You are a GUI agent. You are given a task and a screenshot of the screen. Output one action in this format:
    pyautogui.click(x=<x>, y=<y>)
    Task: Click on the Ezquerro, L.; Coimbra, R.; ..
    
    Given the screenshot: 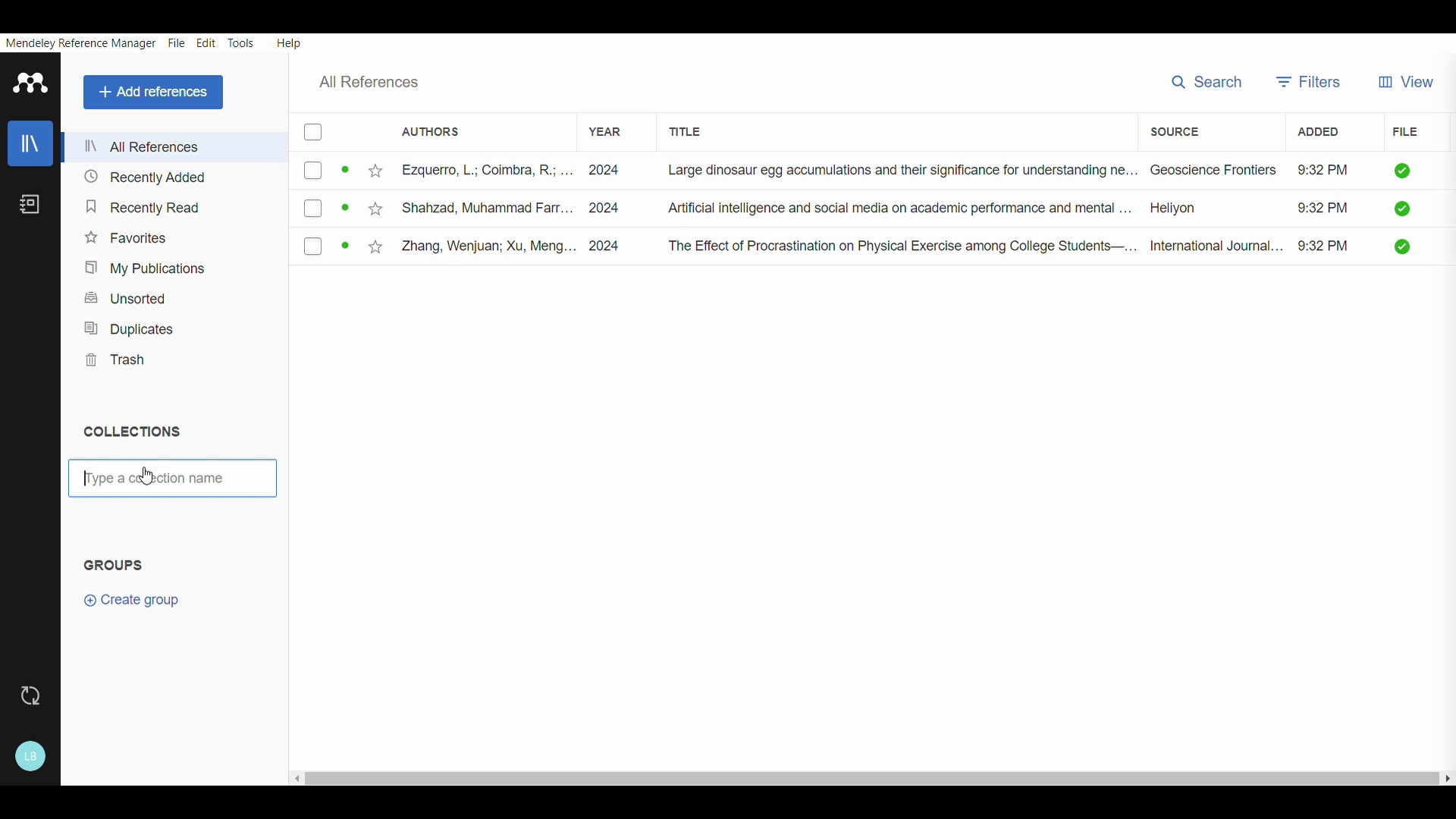 What is the action you would take?
    pyautogui.click(x=466, y=172)
    